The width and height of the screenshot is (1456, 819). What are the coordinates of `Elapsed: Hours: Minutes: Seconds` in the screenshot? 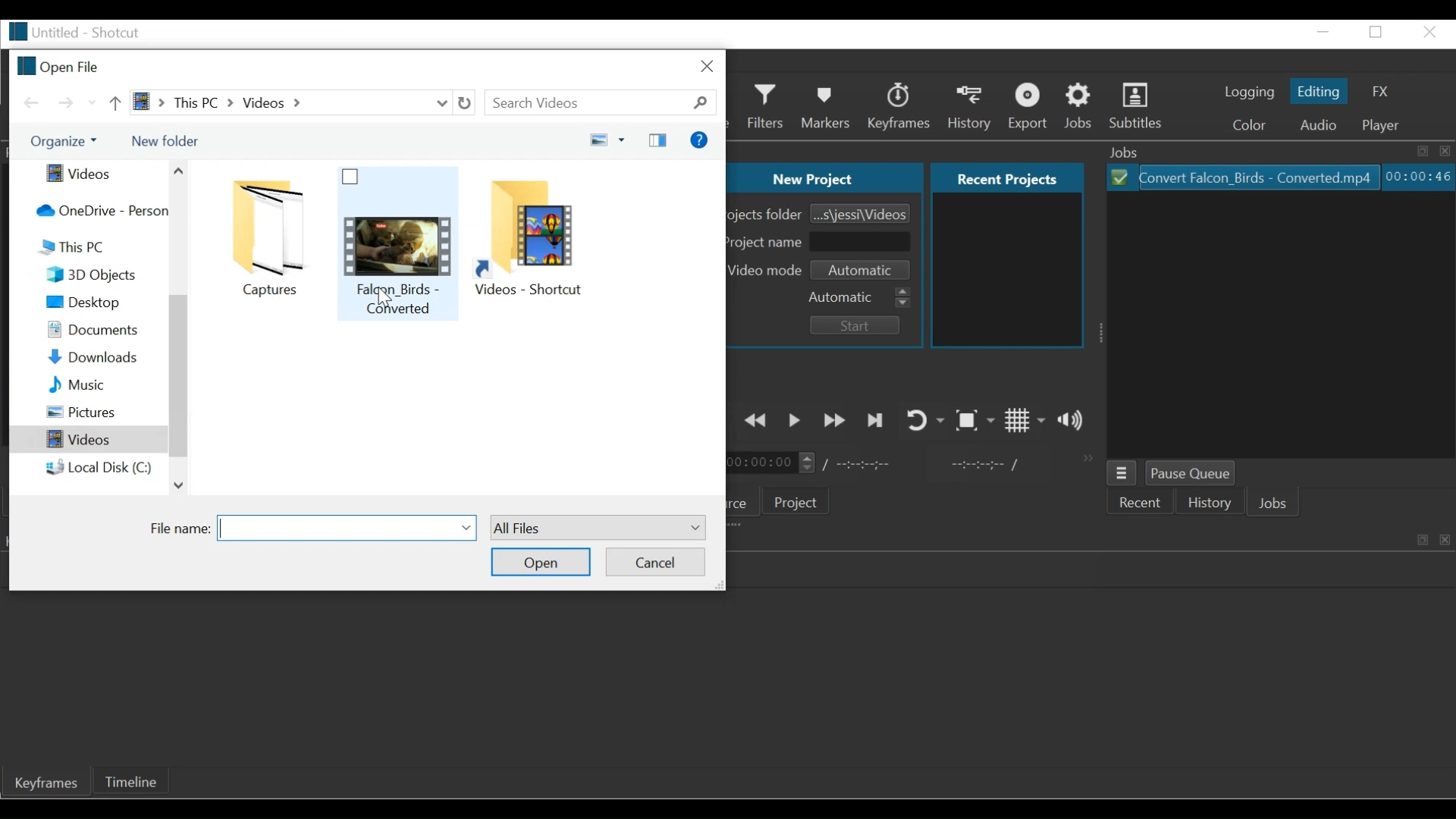 It's located at (1418, 176).